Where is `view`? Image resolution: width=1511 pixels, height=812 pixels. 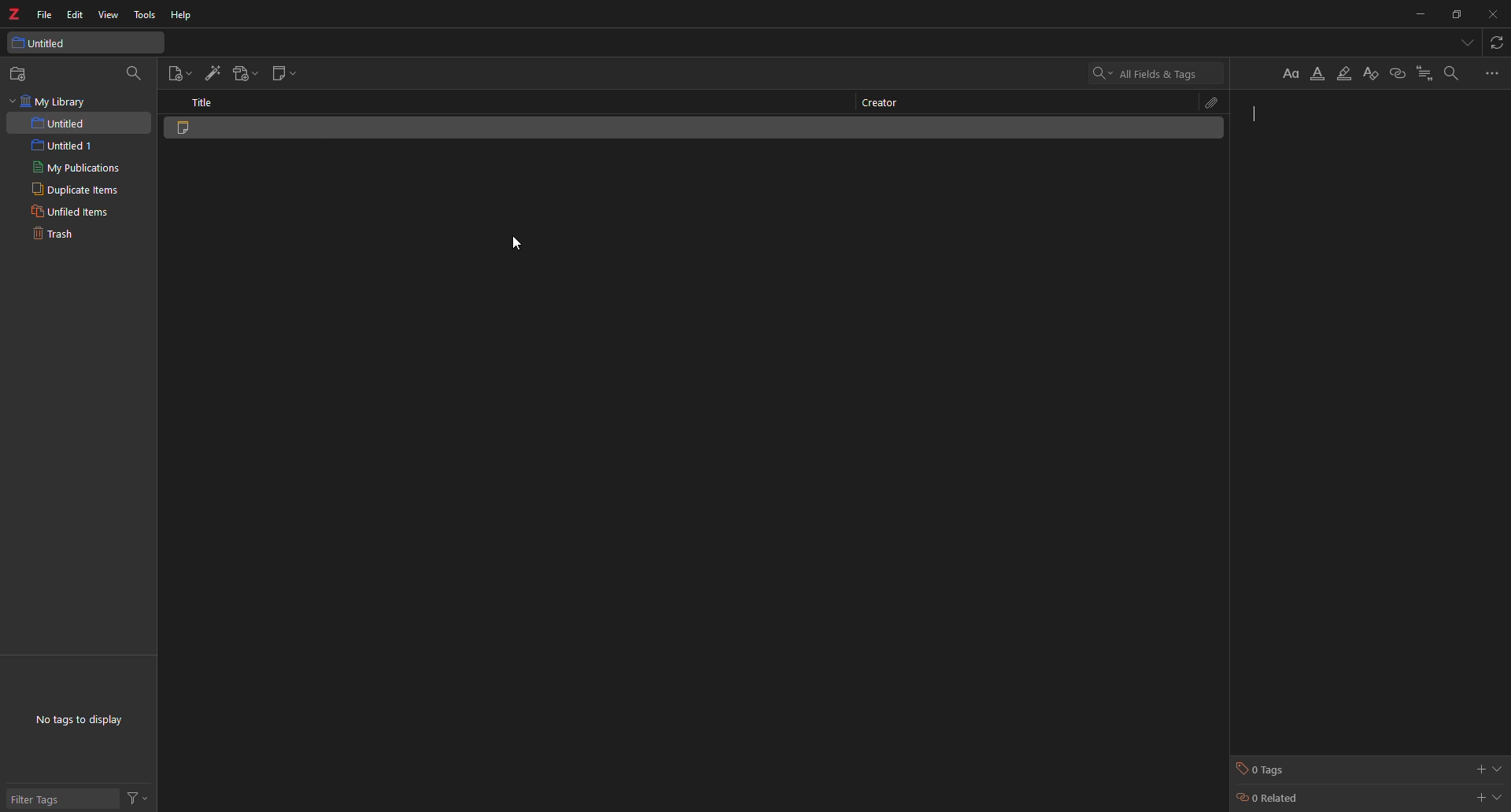
view is located at coordinates (109, 15).